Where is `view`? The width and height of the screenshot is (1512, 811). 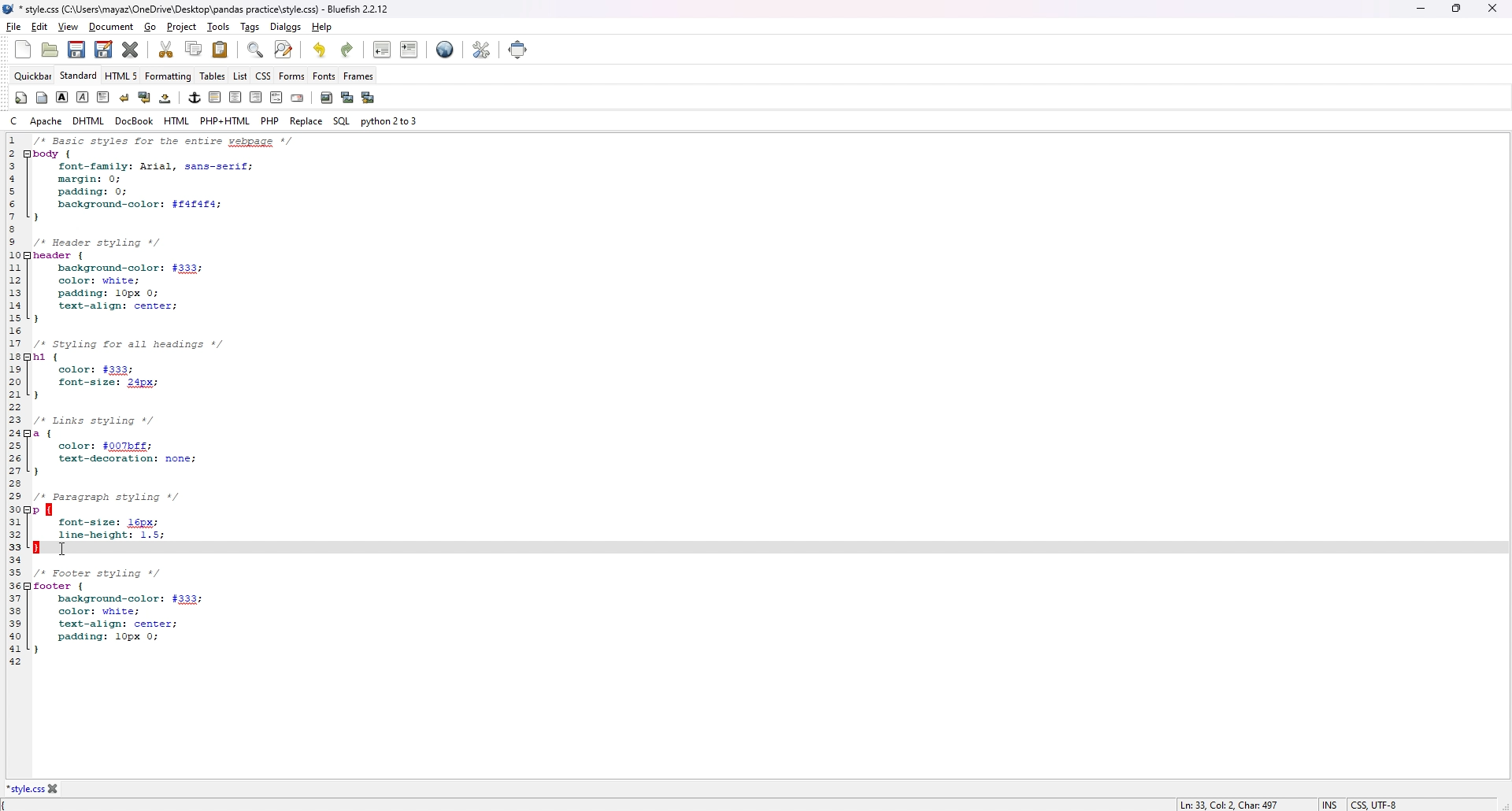
view is located at coordinates (67, 27).